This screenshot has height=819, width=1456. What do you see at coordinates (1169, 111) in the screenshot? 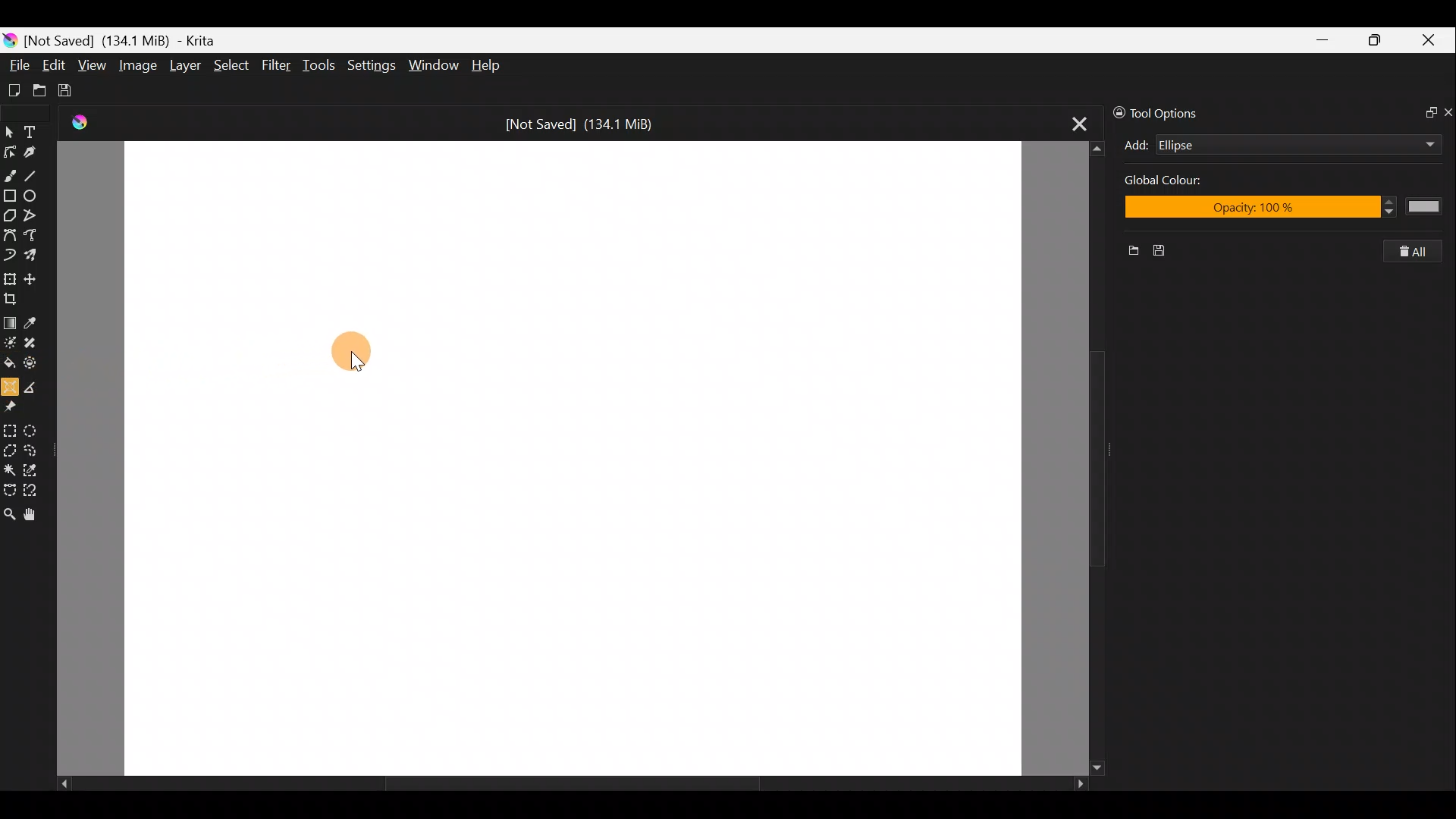
I see `Tool options` at bounding box center [1169, 111].